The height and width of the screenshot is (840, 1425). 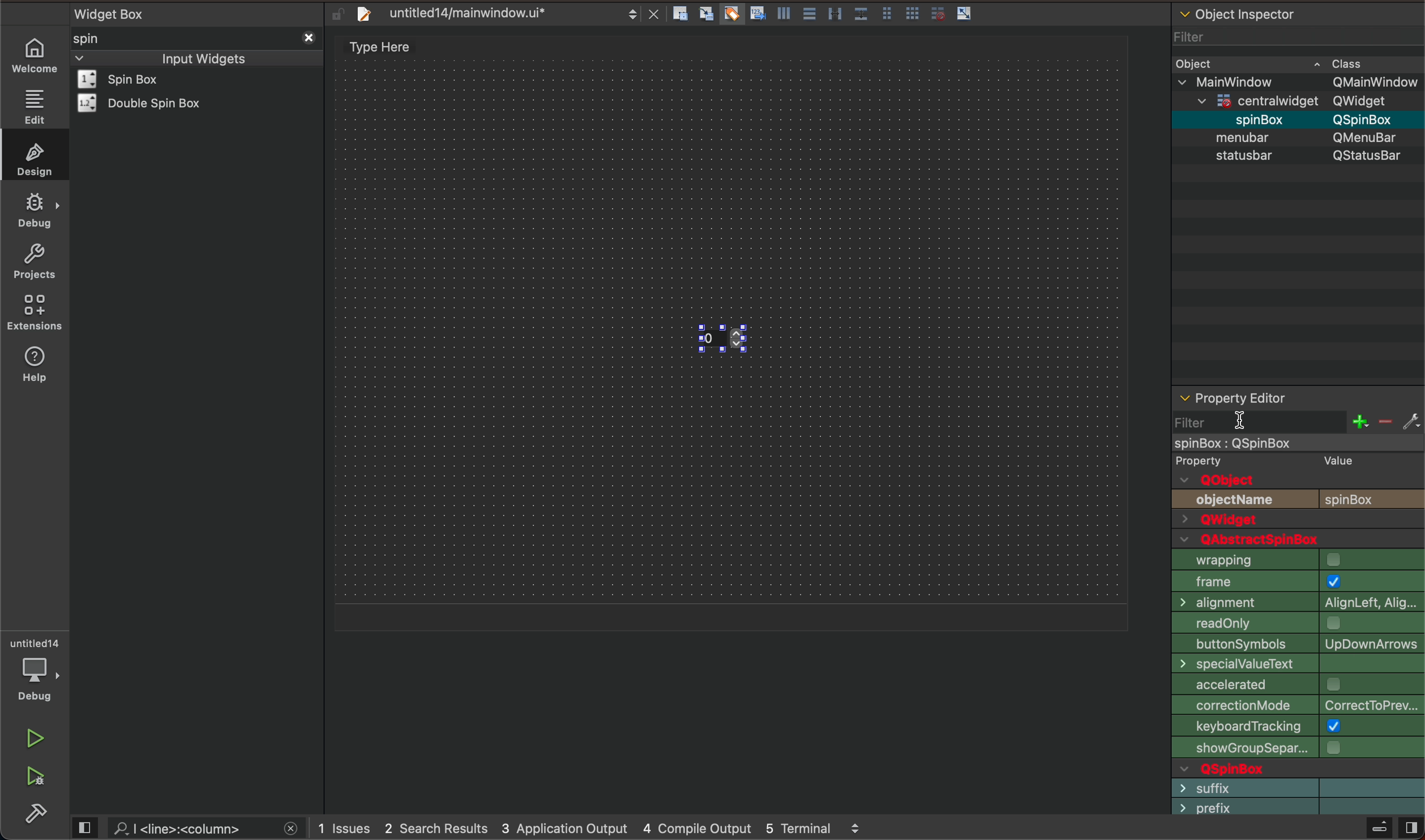 What do you see at coordinates (203, 57) in the screenshot?
I see `inout` at bounding box center [203, 57].